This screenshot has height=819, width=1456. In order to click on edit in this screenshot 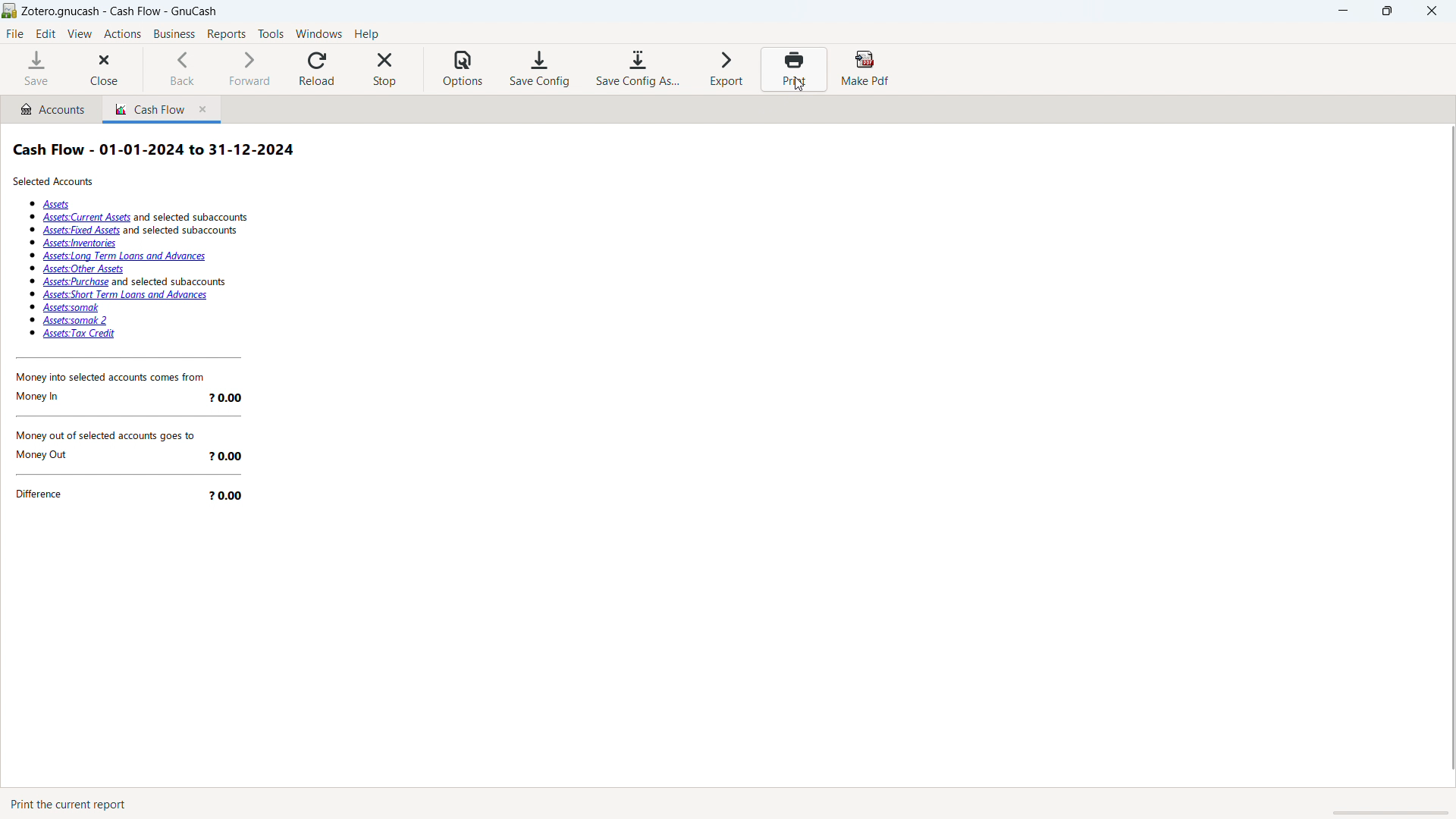, I will do `click(46, 33)`.